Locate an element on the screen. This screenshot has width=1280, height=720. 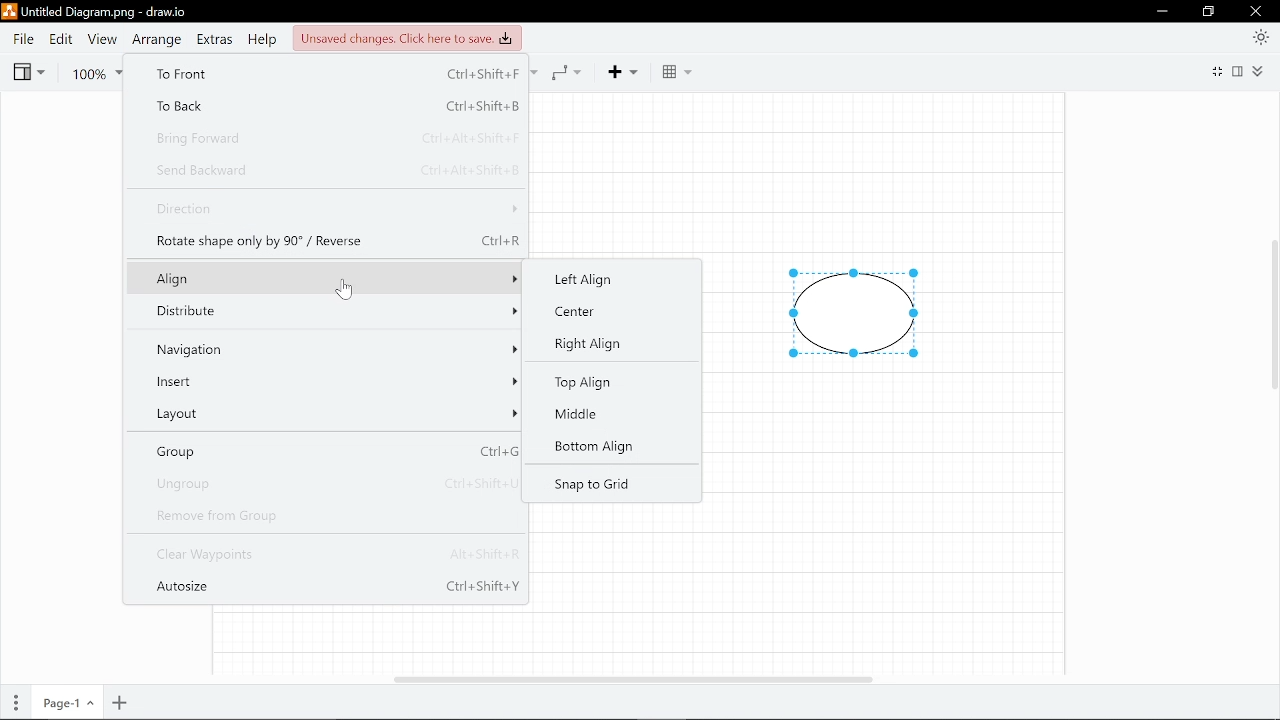
Help is located at coordinates (261, 39).